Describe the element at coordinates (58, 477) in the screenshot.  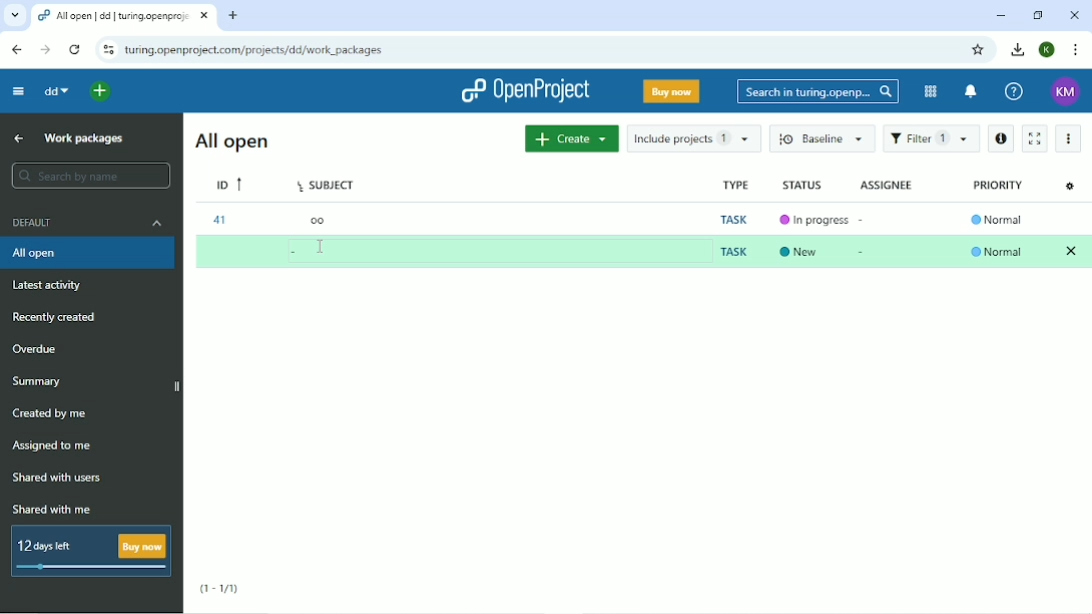
I see `Shared with users` at that location.